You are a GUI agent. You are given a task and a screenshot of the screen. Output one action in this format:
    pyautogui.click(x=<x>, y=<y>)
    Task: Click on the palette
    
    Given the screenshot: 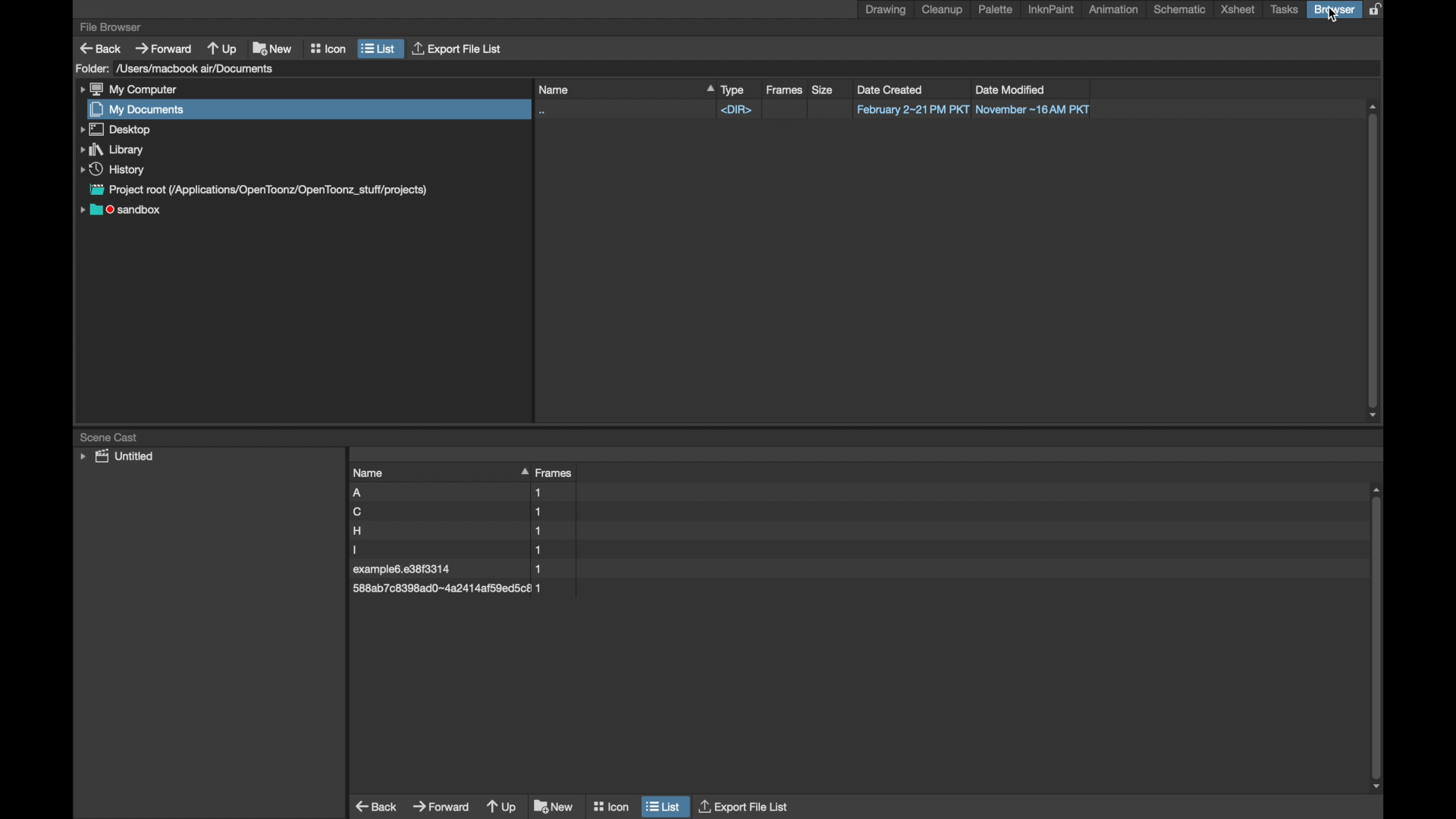 What is the action you would take?
    pyautogui.click(x=996, y=9)
    